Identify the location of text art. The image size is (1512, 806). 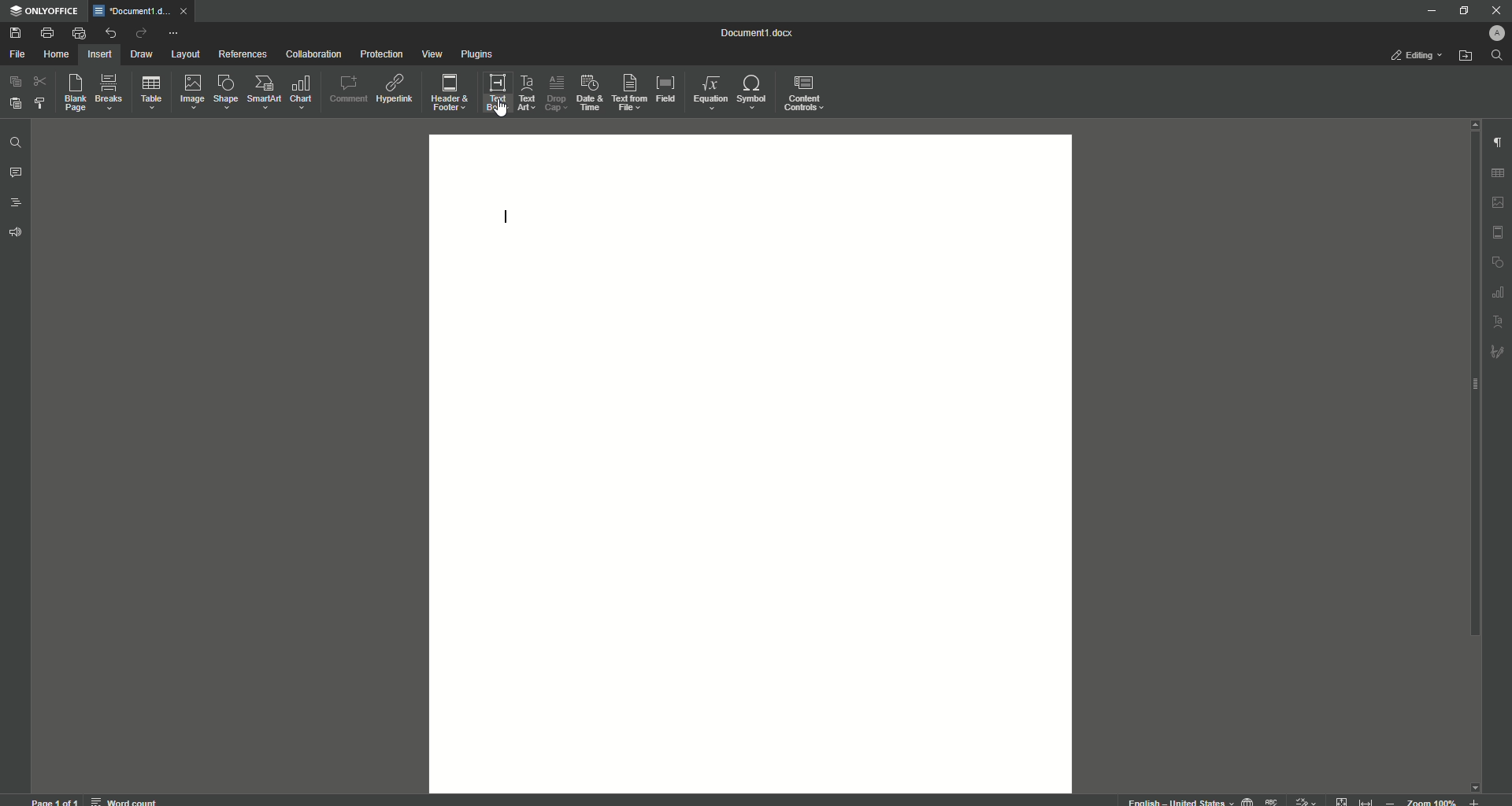
(1499, 323).